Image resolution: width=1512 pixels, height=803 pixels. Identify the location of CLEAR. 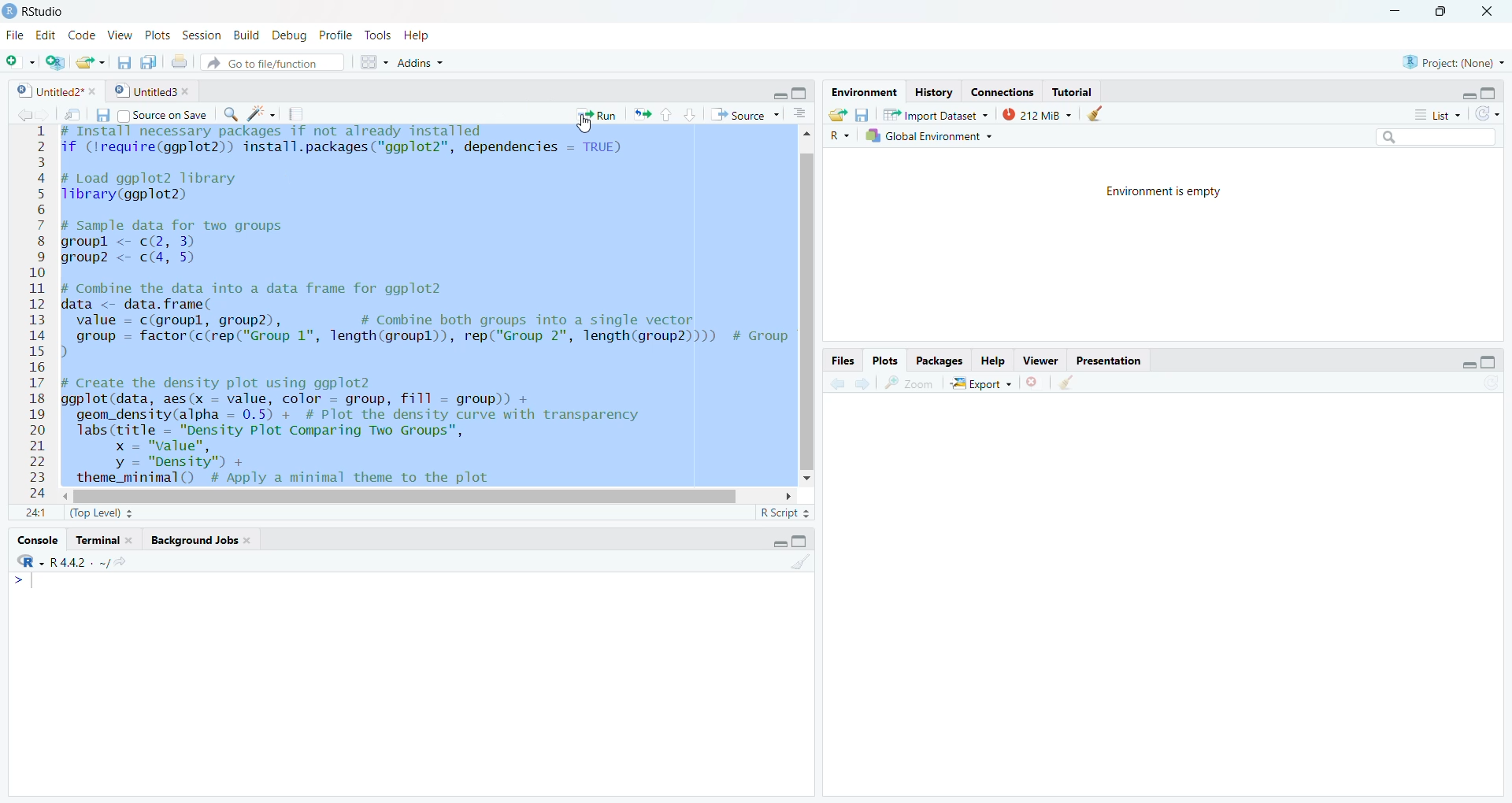
(806, 568).